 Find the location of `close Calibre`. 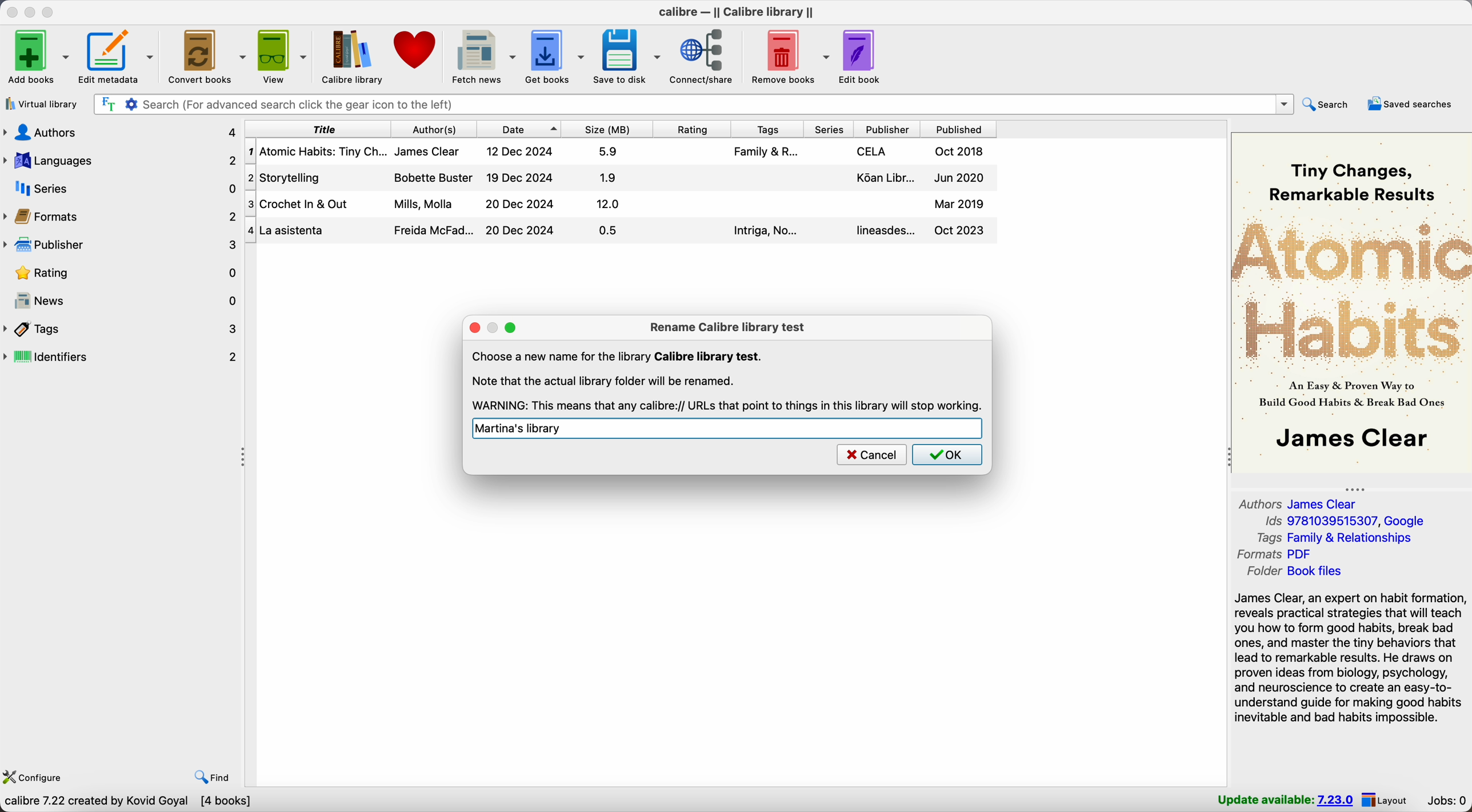

close Calibre is located at coordinates (10, 13).